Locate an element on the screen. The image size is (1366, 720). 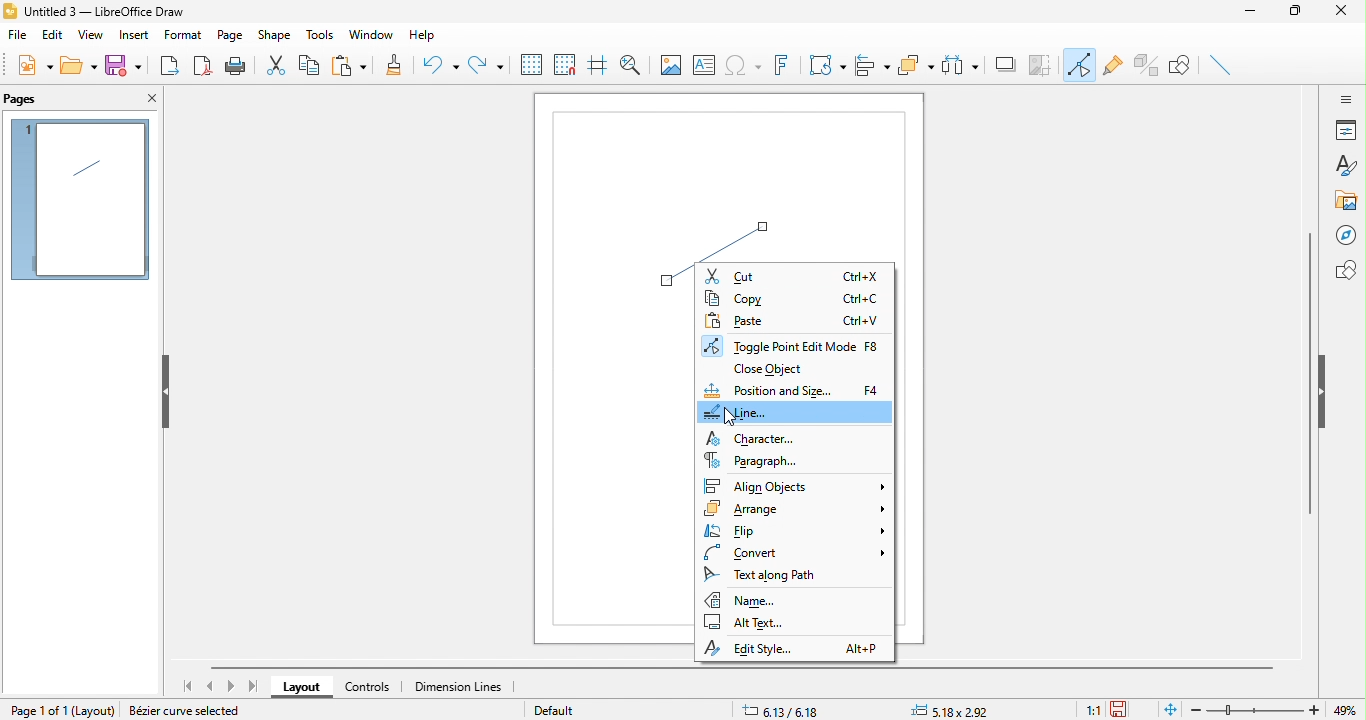
cut is located at coordinates (276, 66).